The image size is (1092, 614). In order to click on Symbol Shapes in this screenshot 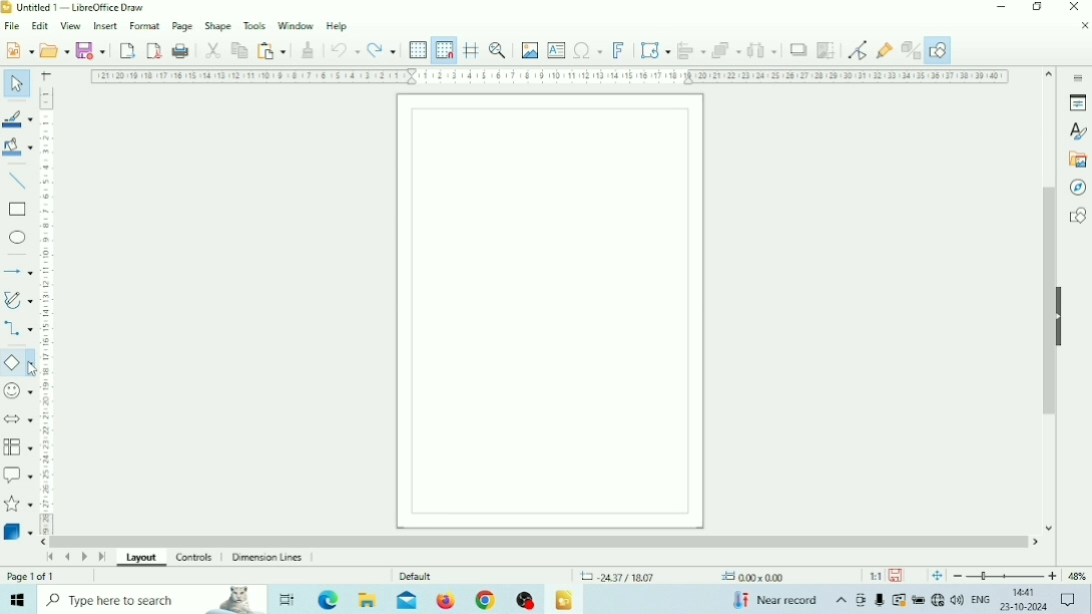, I will do `click(18, 391)`.